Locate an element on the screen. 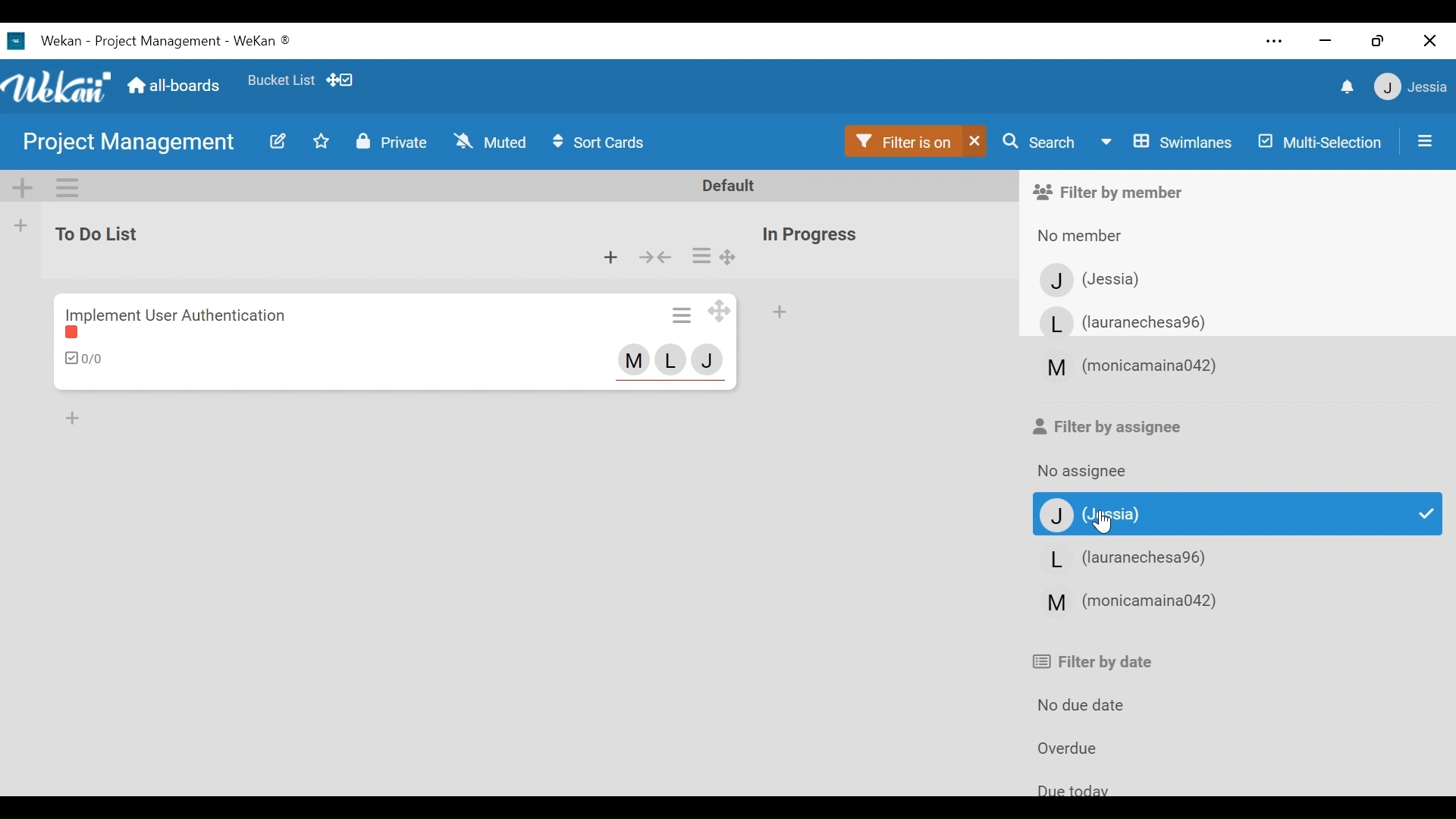  Show Desktop drag handles is located at coordinates (343, 80).